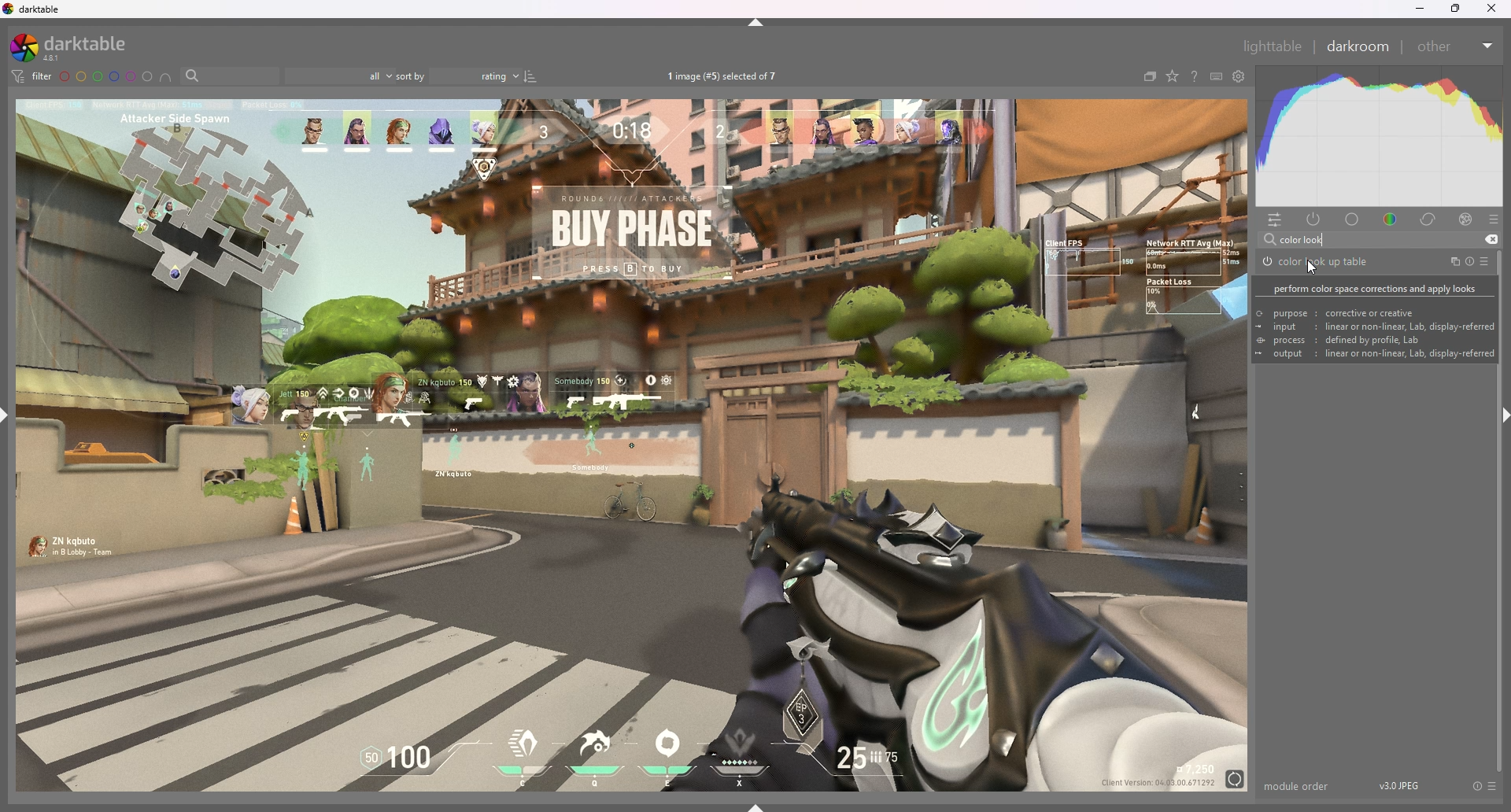 The image size is (1511, 812). I want to click on active modules, so click(1315, 220).